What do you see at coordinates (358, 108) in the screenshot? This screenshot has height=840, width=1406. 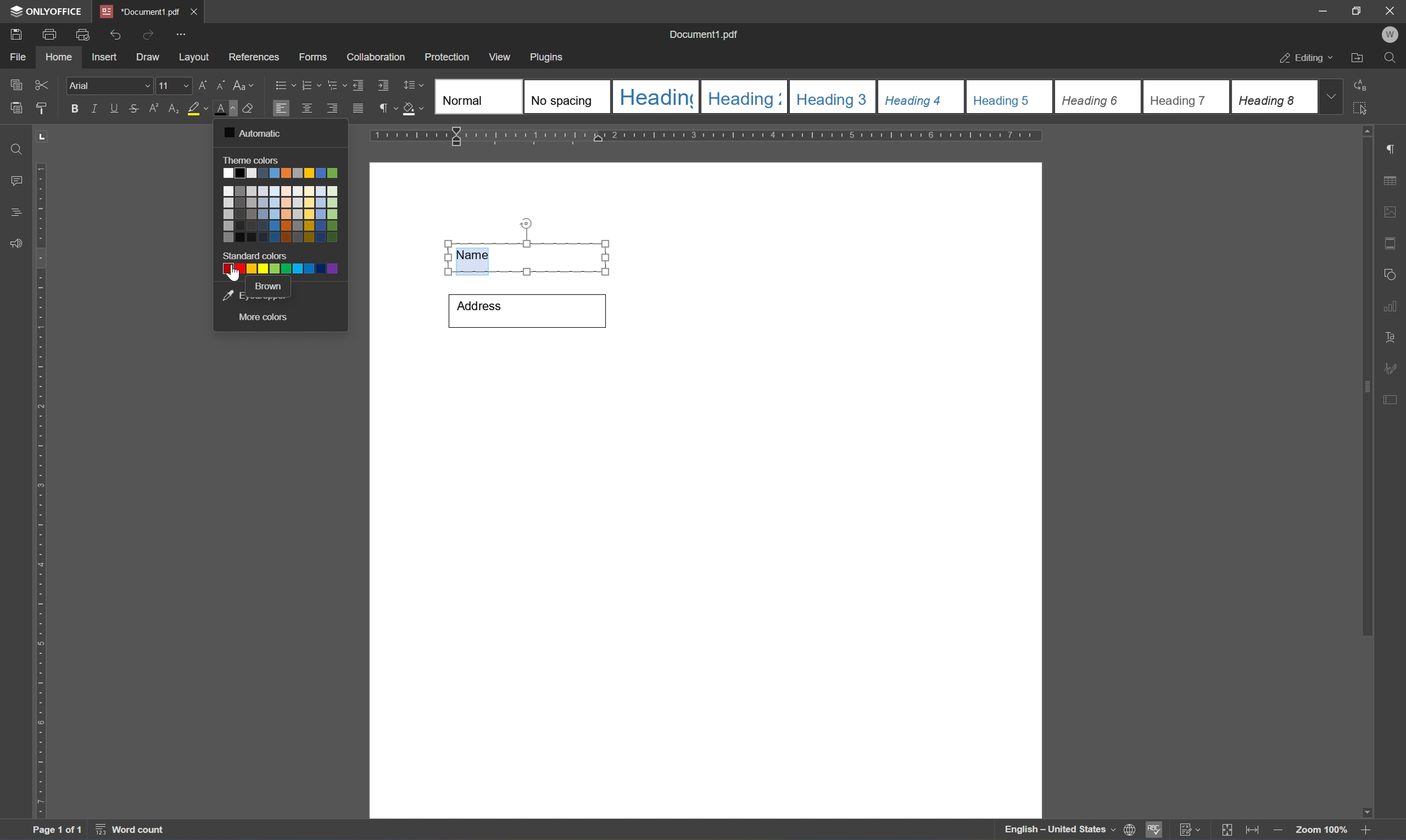 I see `justified` at bounding box center [358, 108].